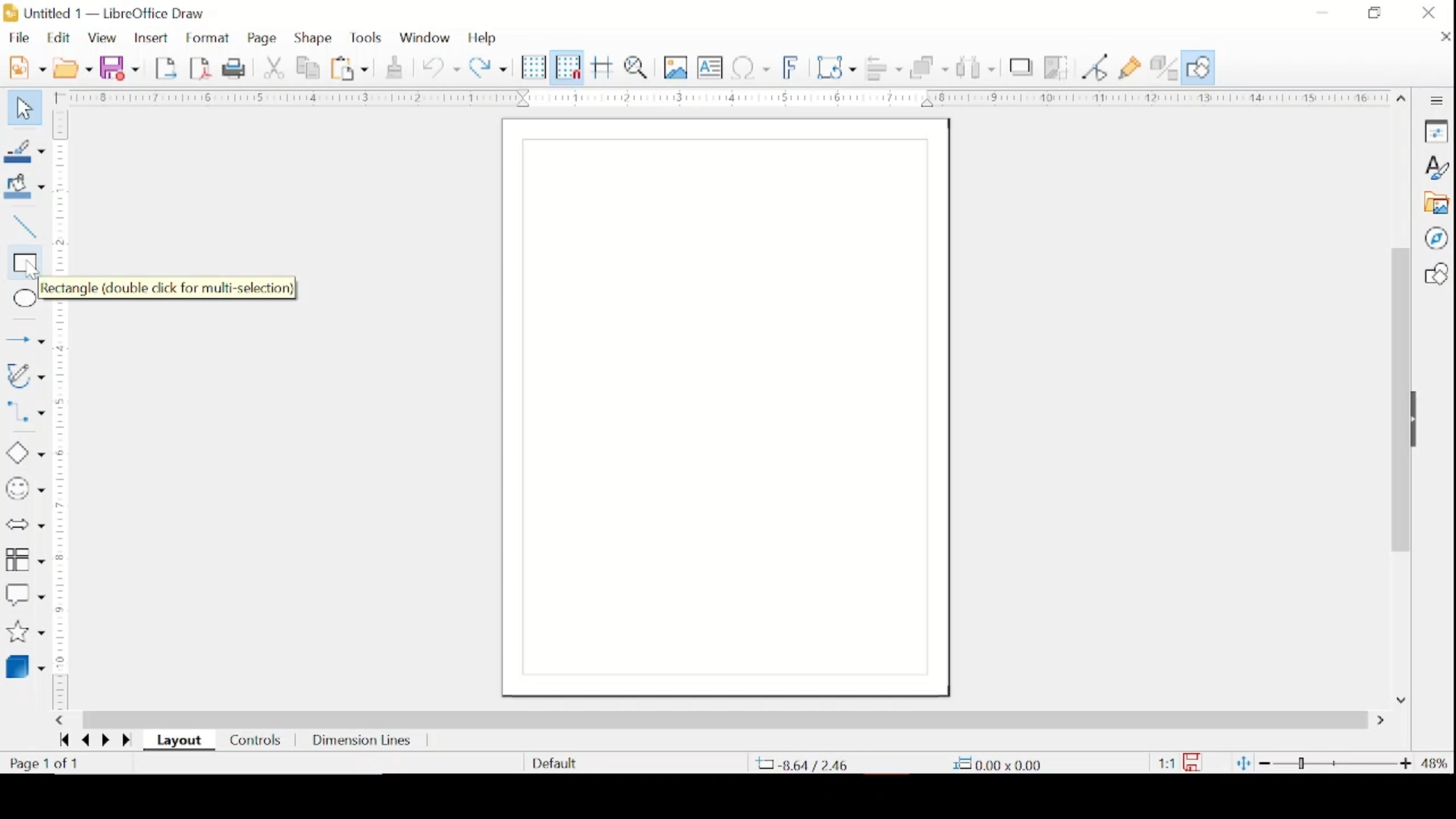 The height and width of the screenshot is (819, 1456). What do you see at coordinates (930, 67) in the screenshot?
I see `arrange` at bounding box center [930, 67].